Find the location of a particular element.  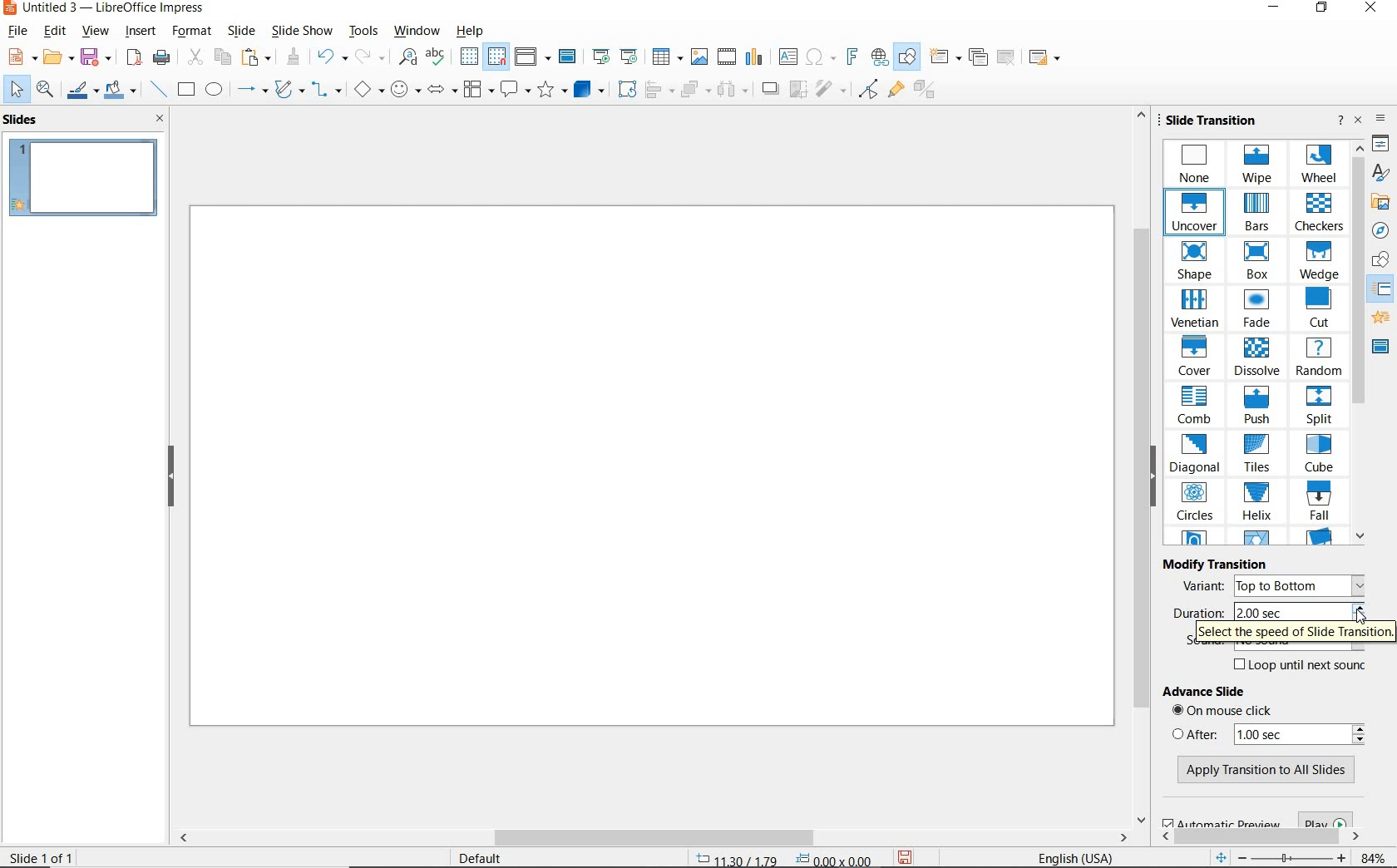

SHAPES is located at coordinates (1382, 261).